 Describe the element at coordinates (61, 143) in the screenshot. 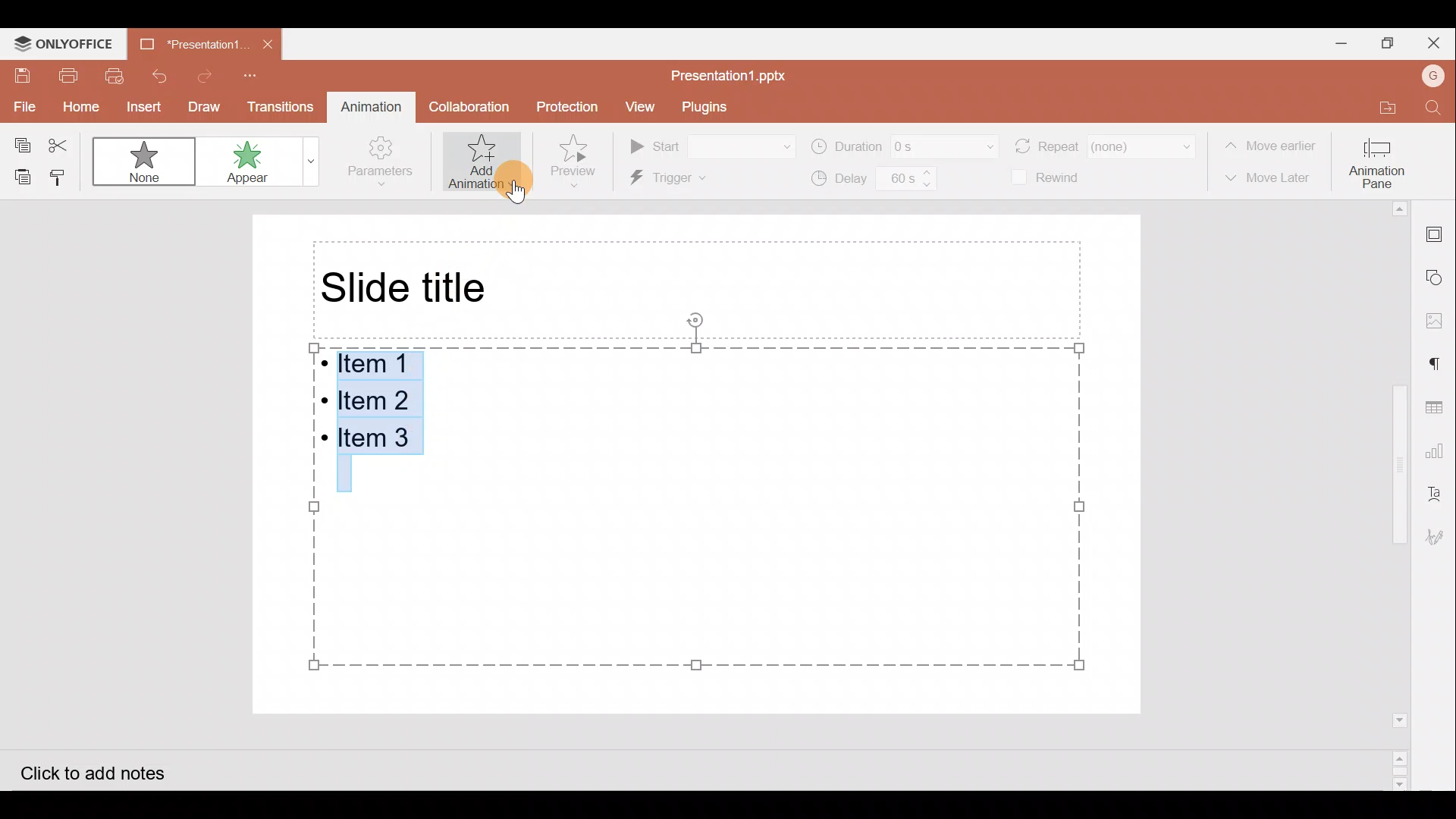

I see `Cut` at that location.